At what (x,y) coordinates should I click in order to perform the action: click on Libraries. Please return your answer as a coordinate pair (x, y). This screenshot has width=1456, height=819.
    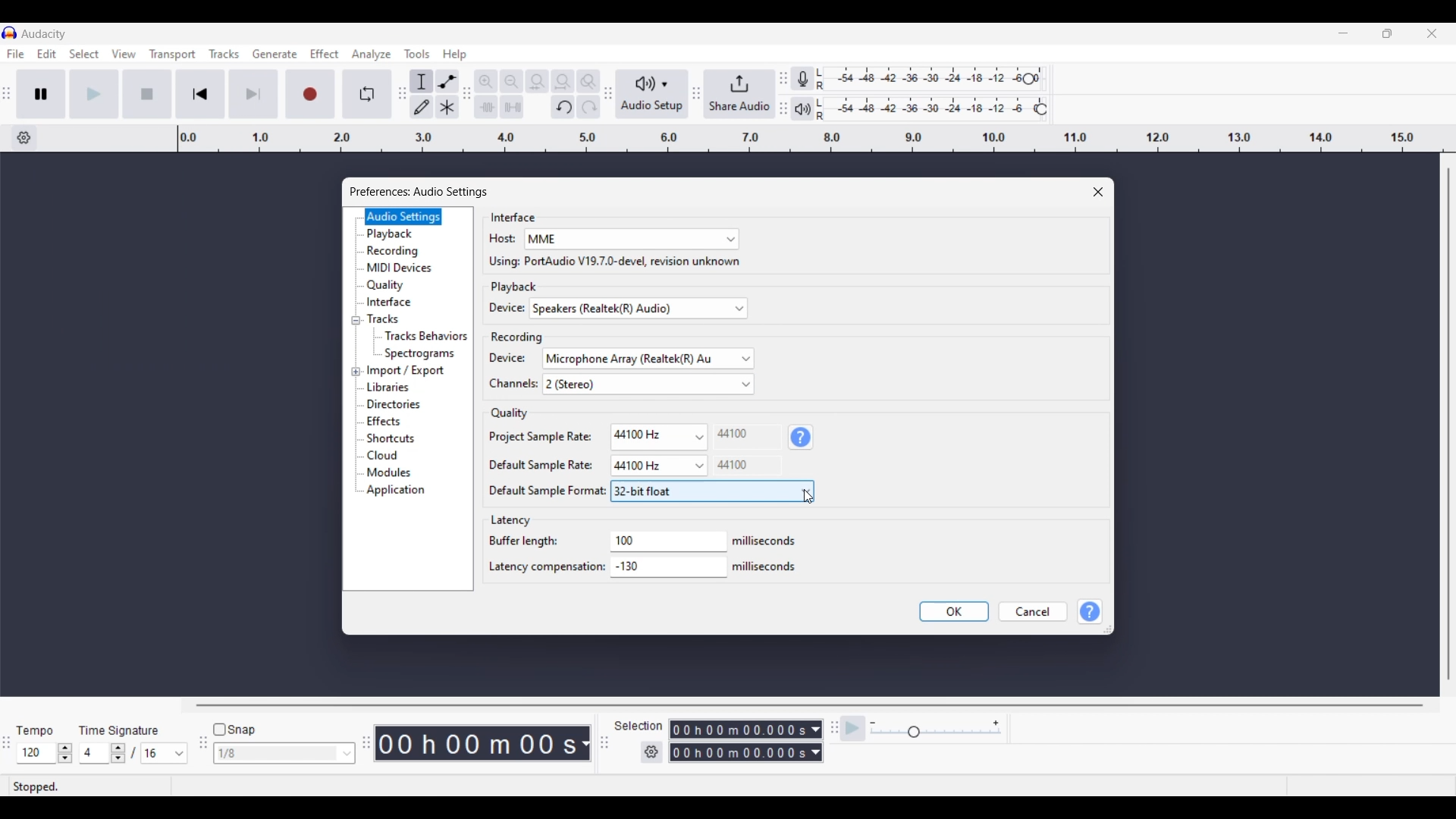
    Looking at the image, I should click on (410, 387).